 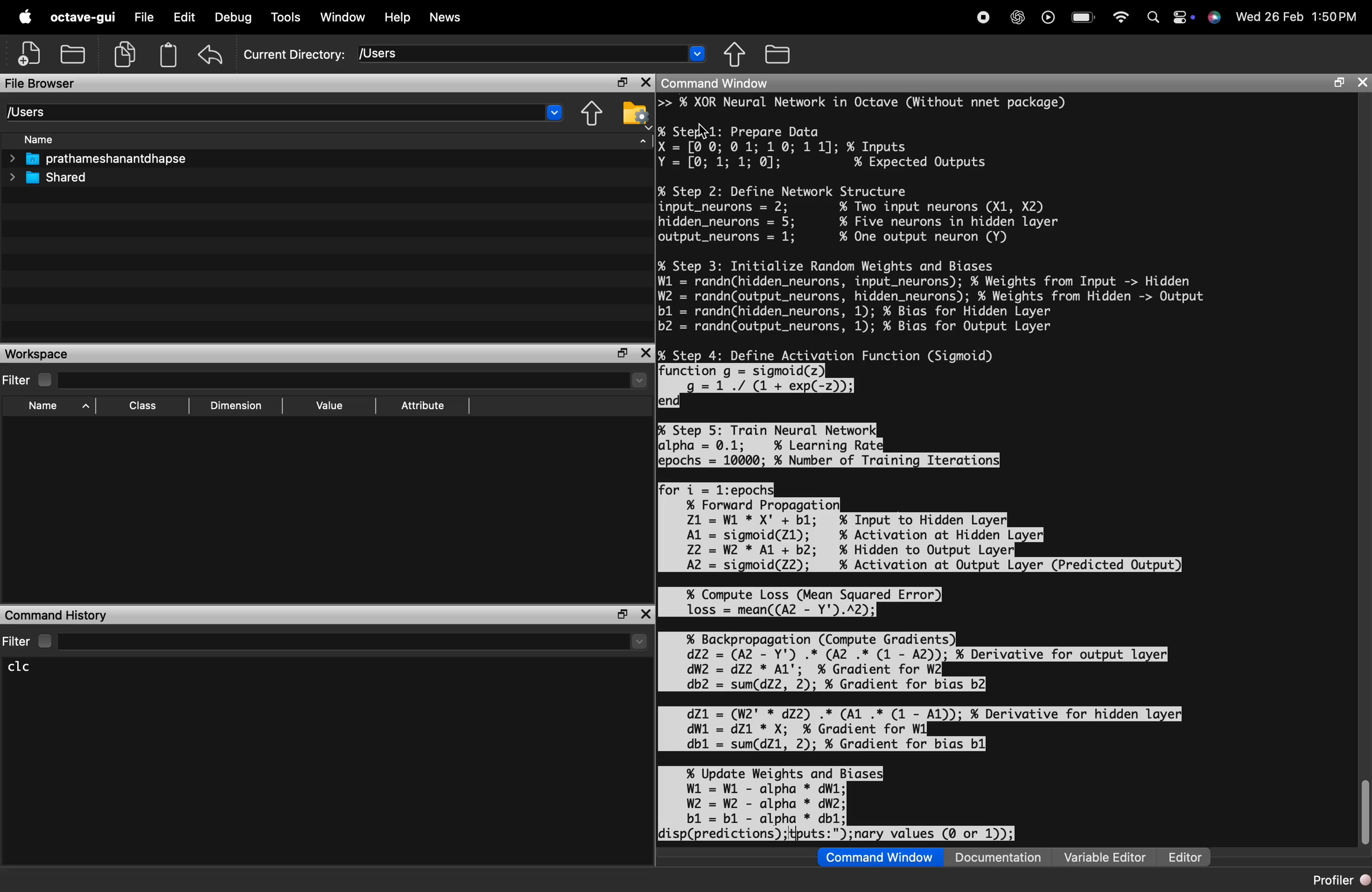 What do you see at coordinates (76, 54) in the screenshot?
I see `open an existing file in directory` at bounding box center [76, 54].